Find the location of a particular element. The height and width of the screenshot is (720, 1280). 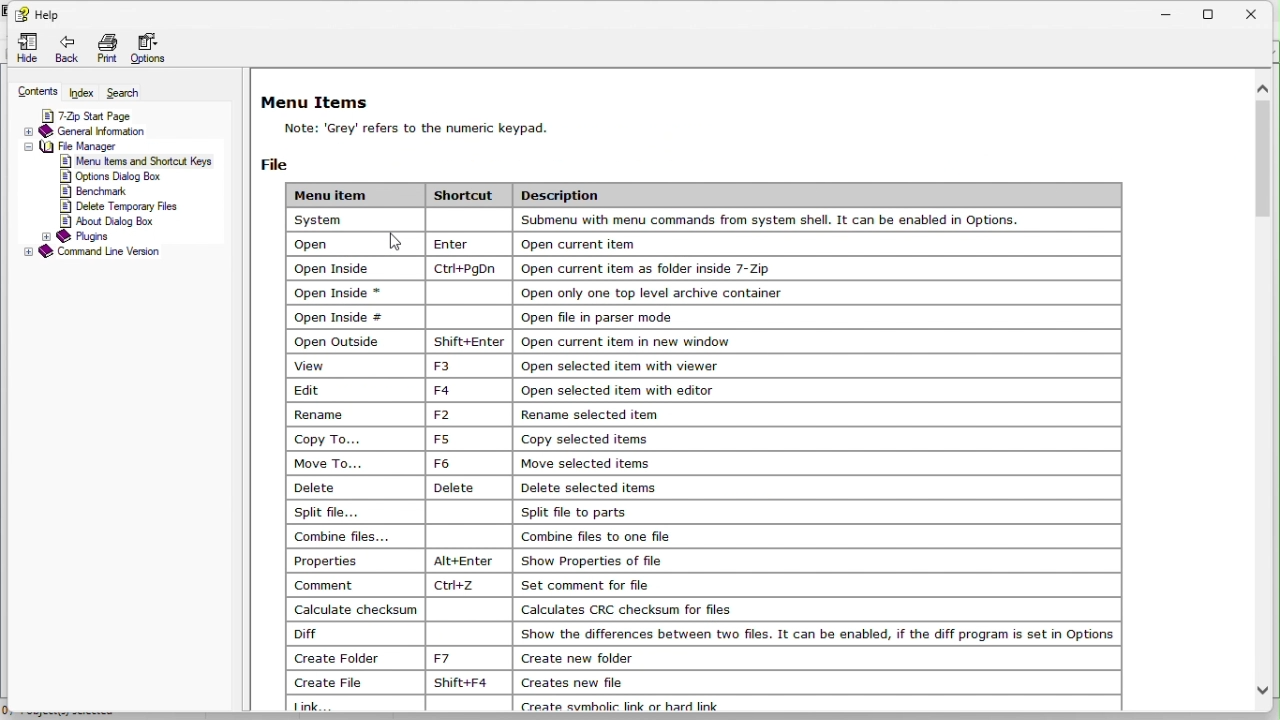

| Create Folder 1 F7 | Create new folder is located at coordinates (478, 657).